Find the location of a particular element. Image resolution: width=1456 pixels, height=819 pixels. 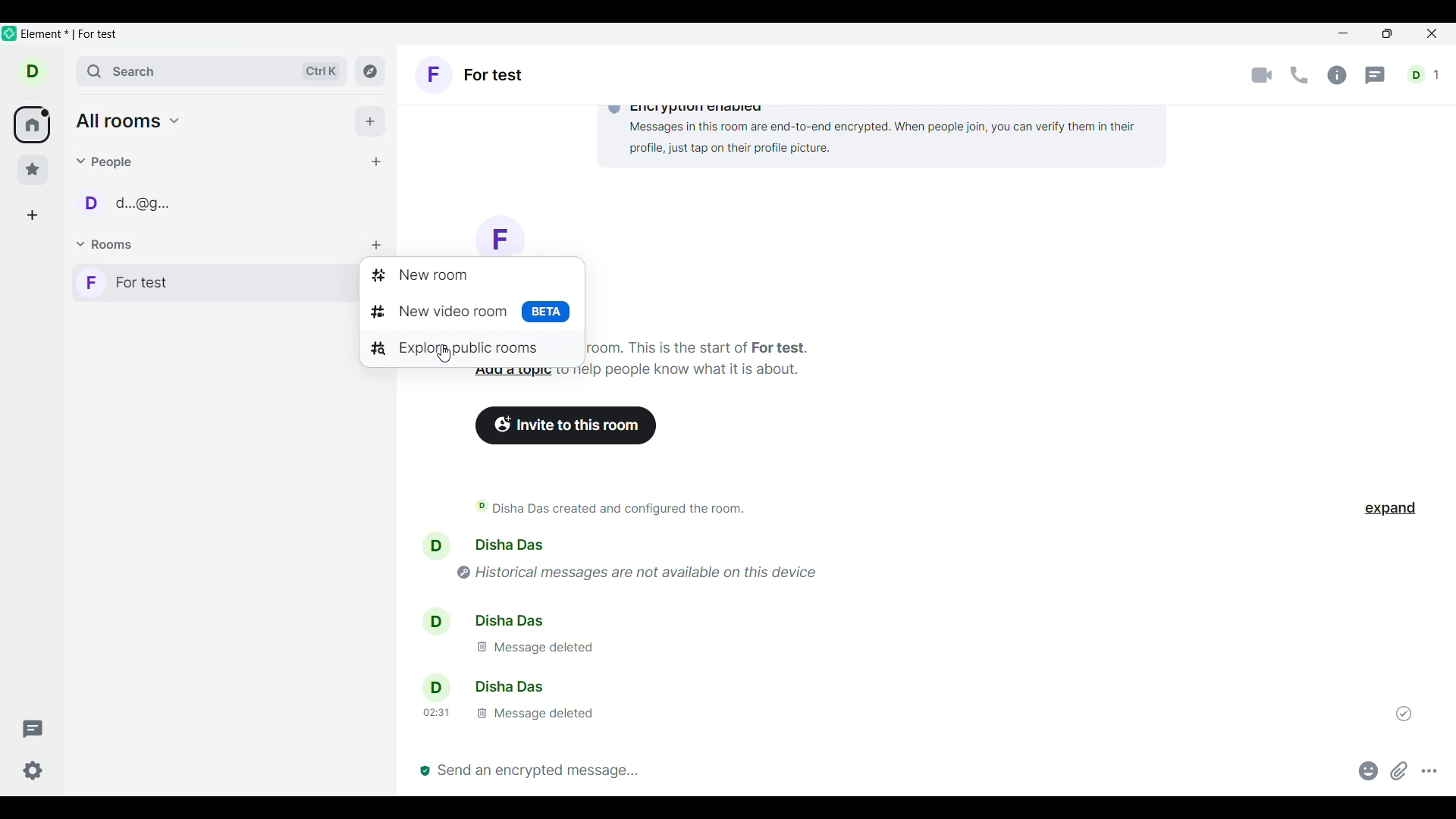

for test is located at coordinates (466, 309).